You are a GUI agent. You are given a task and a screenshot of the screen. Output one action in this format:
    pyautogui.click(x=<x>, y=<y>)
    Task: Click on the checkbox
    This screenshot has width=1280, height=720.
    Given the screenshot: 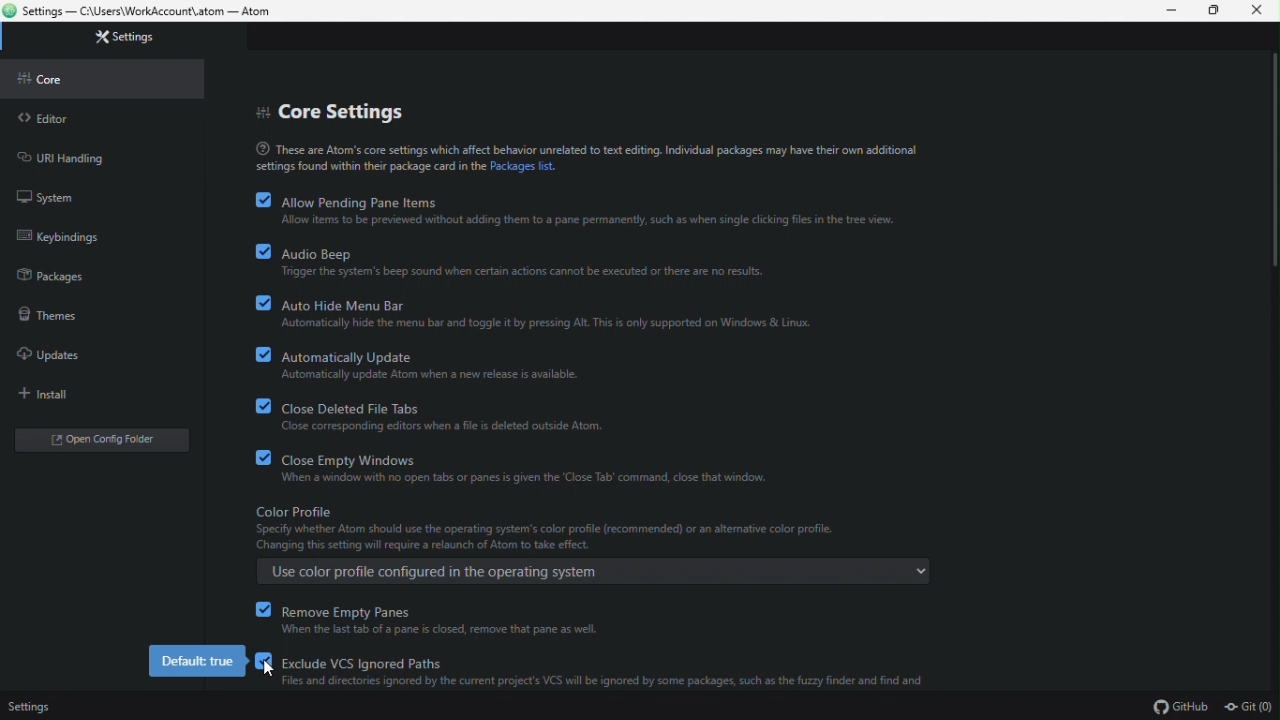 What is the action you would take?
    pyautogui.click(x=254, y=351)
    